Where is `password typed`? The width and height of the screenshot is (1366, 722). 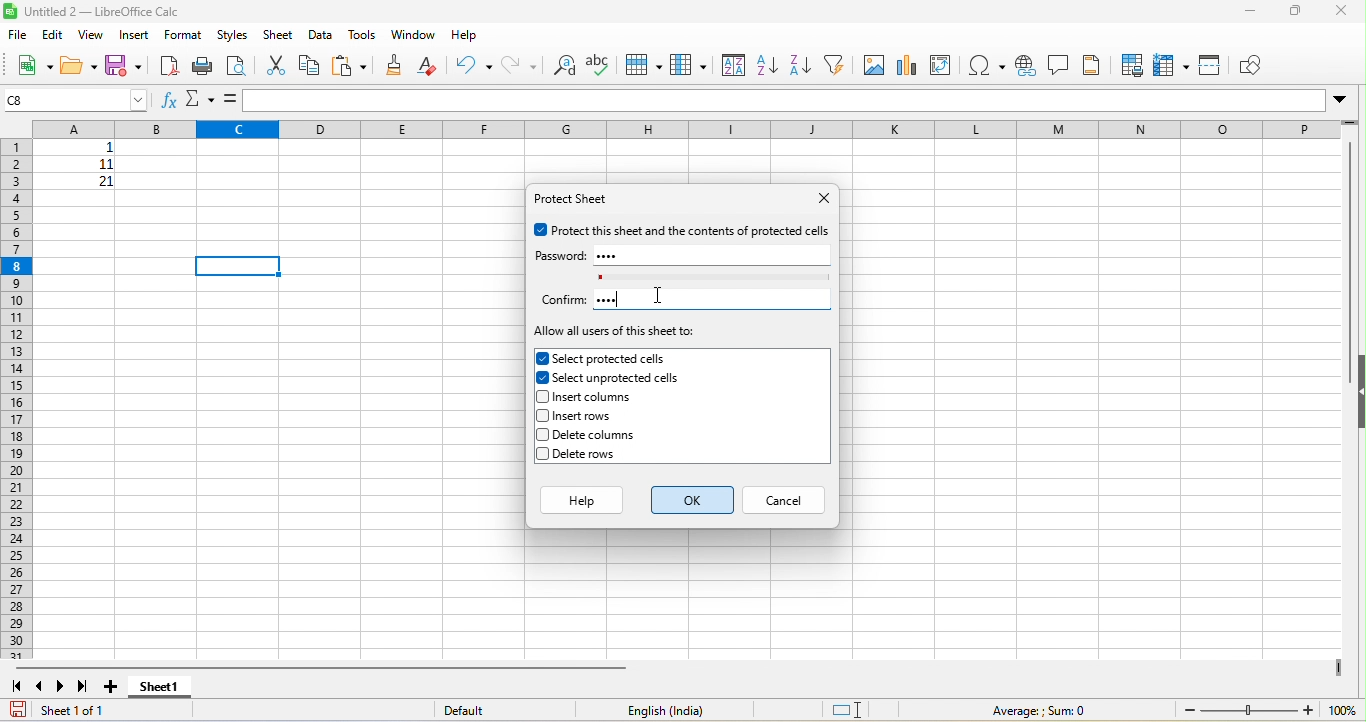 password typed is located at coordinates (612, 255).